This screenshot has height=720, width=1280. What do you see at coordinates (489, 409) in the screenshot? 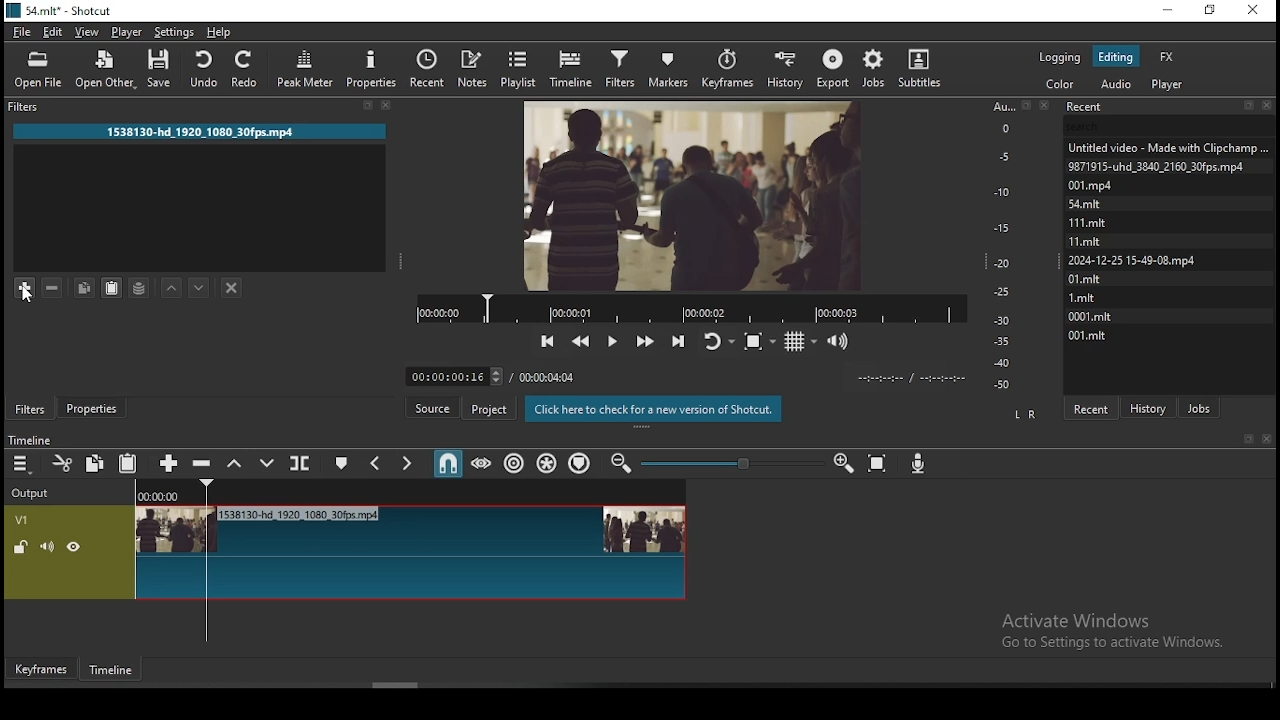
I see `project` at bounding box center [489, 409].